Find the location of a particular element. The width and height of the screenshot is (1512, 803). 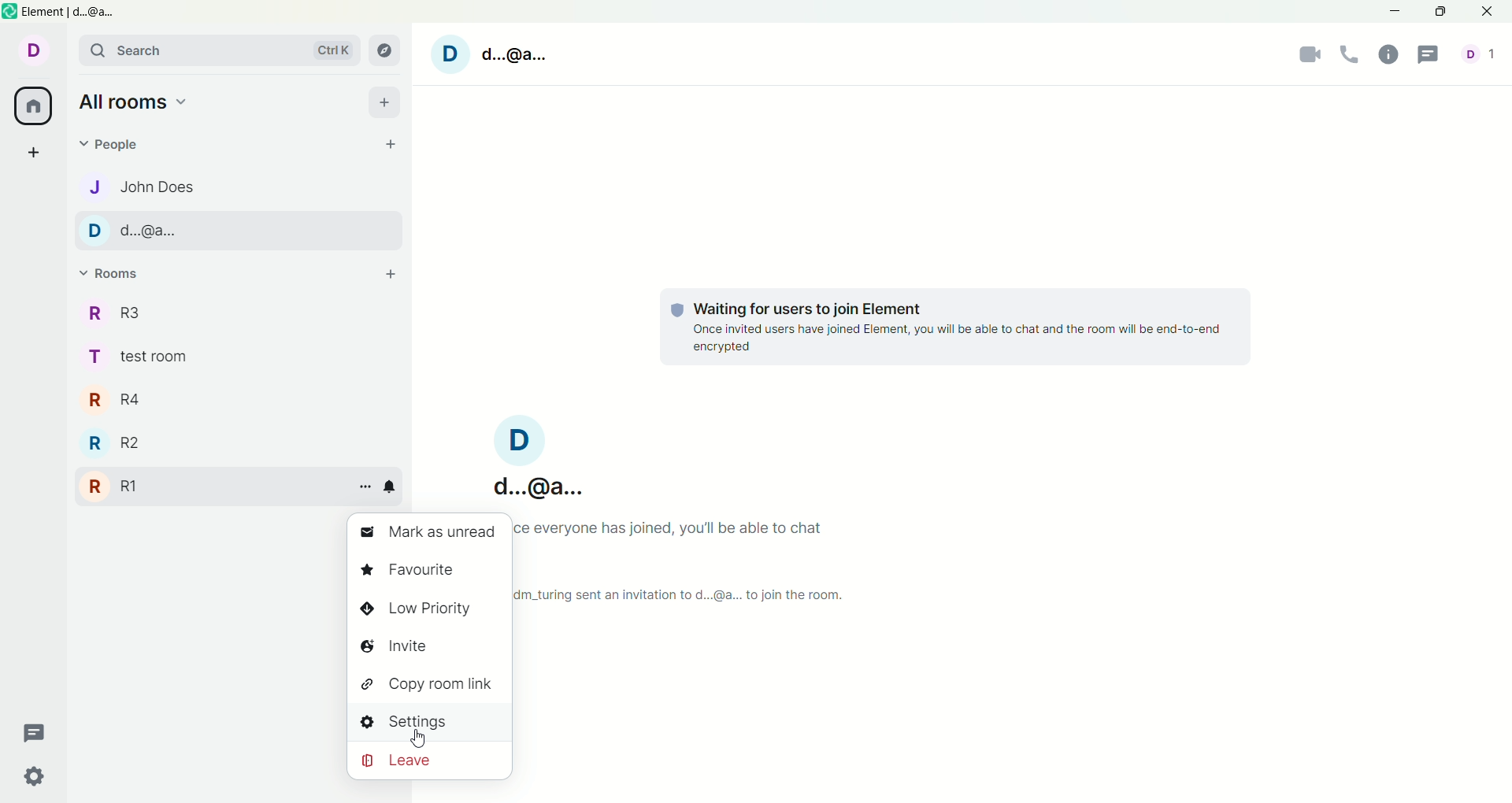

r r2 is located at coordinates (119, 442).